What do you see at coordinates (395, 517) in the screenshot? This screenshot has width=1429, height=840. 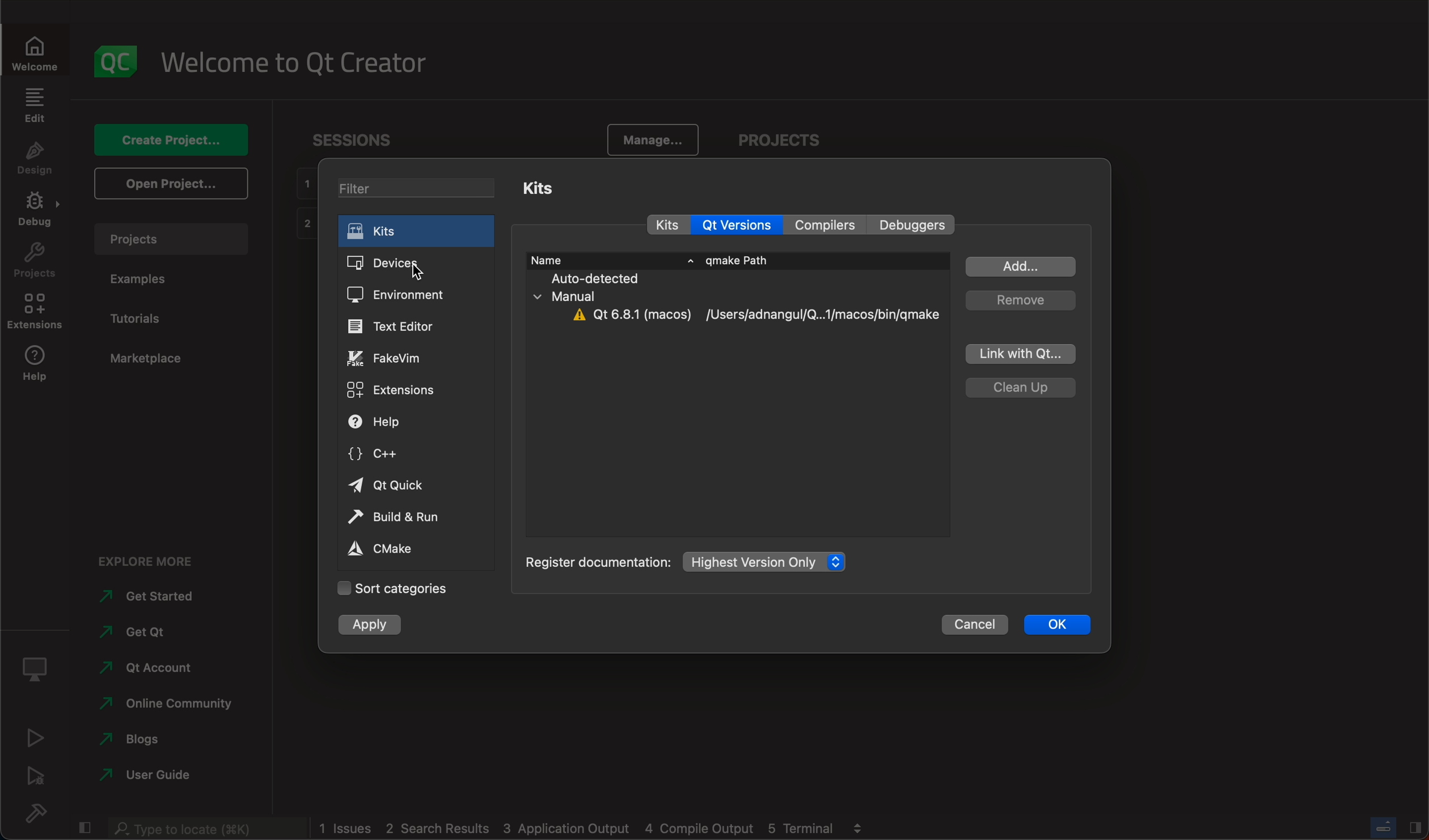 I see `build and run` at bounding box center [395, 517].